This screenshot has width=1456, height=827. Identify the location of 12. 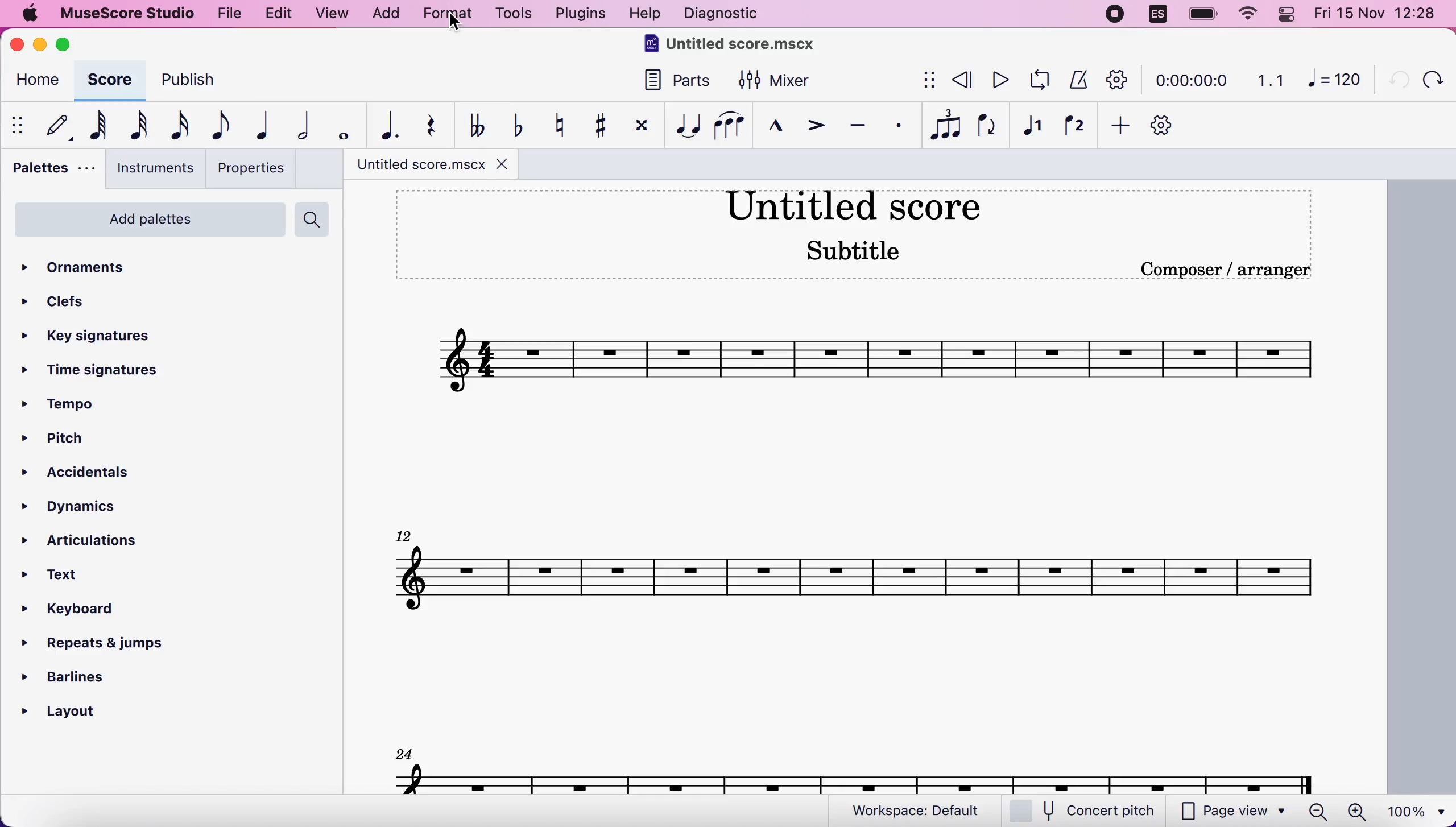
(406, 534).